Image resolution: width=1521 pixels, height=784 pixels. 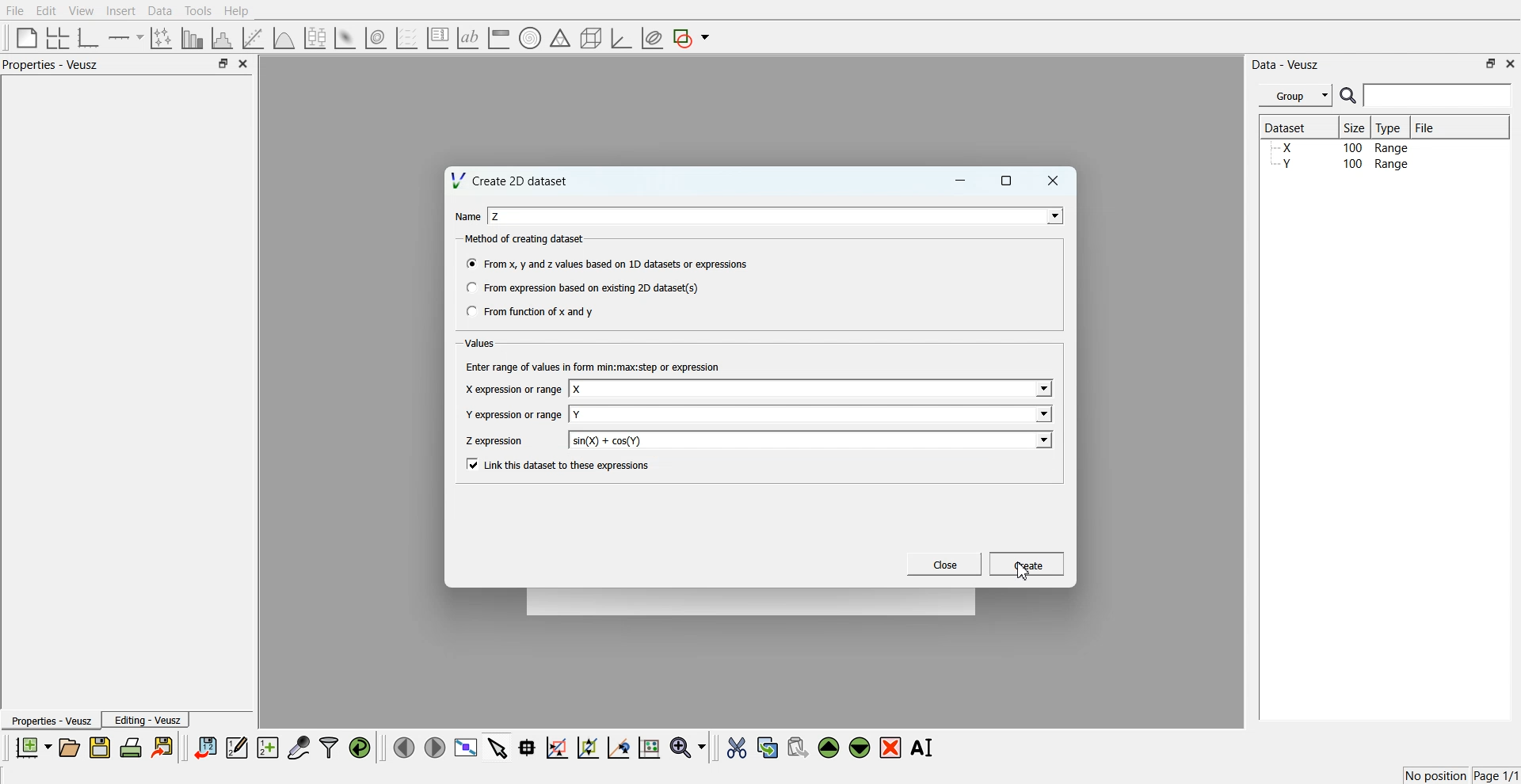 I want to click on ‘Name, so click(x=466, y=215).